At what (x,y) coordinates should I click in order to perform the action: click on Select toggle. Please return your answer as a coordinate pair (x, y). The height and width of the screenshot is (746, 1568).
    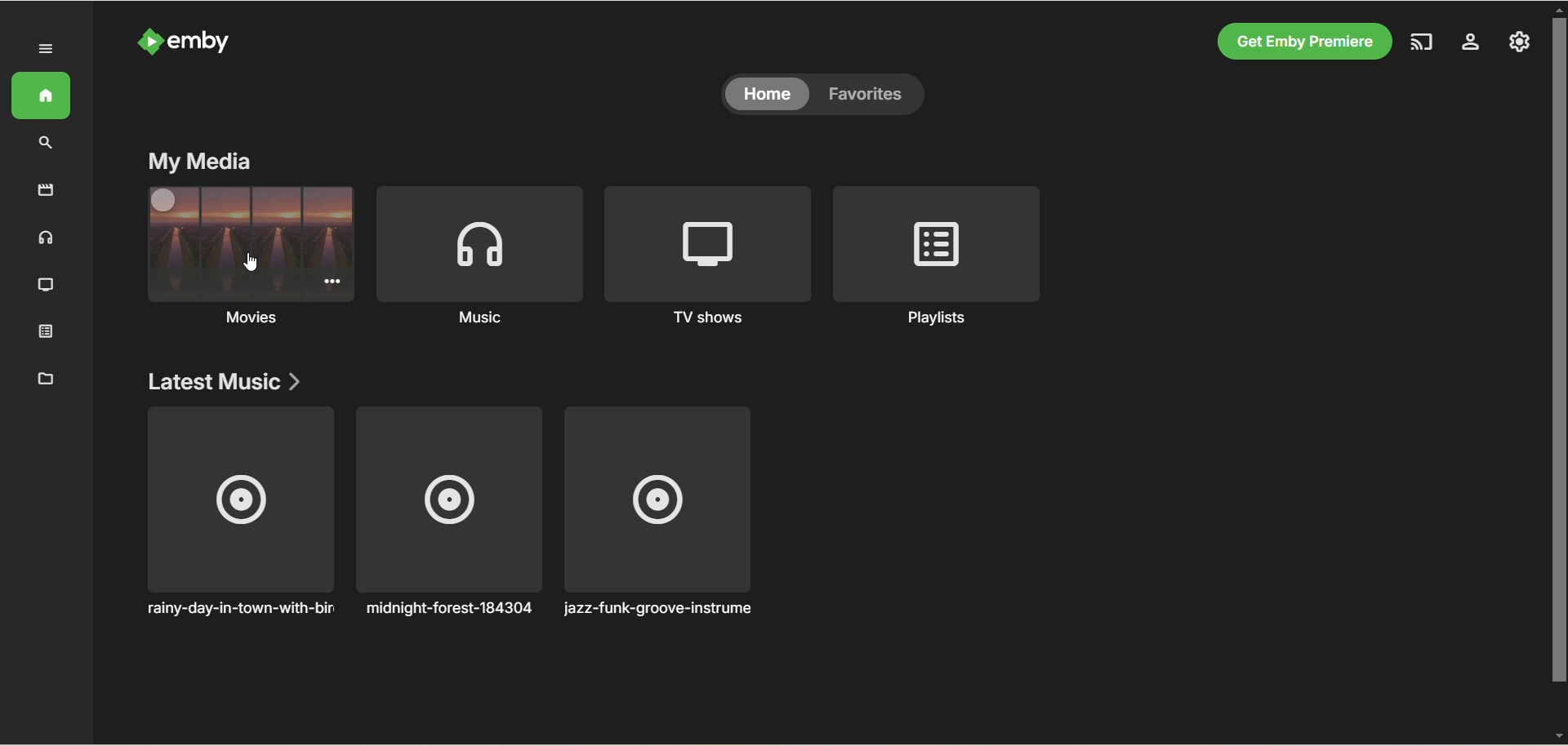
    Looking at the image, I should click on (164, 200).